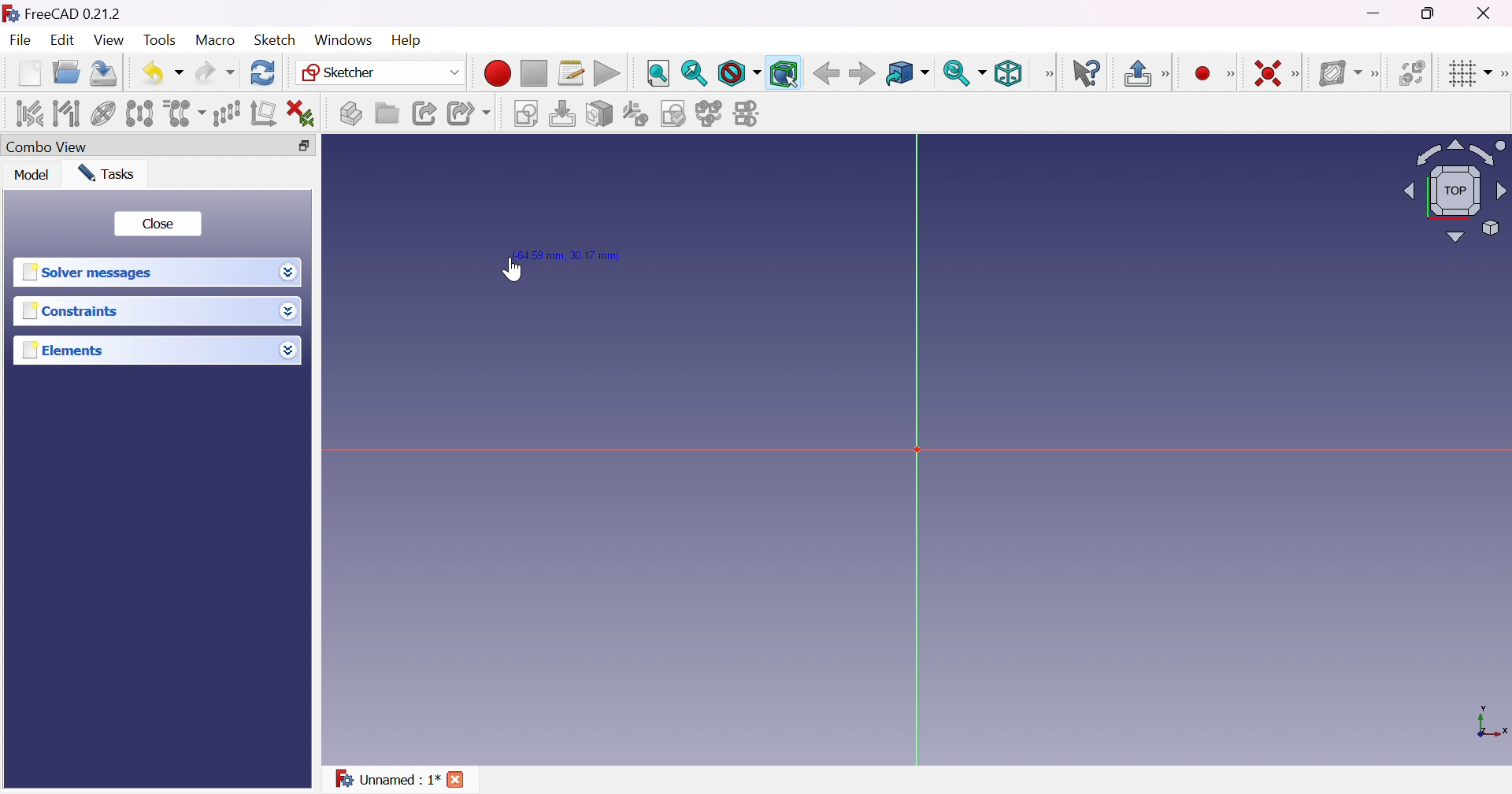 The height and width of the screenshot is (794, 1512). What do you see at coordinates (31, 174) in the screenshot?
I see `Model` at bounding box center [31, 174].